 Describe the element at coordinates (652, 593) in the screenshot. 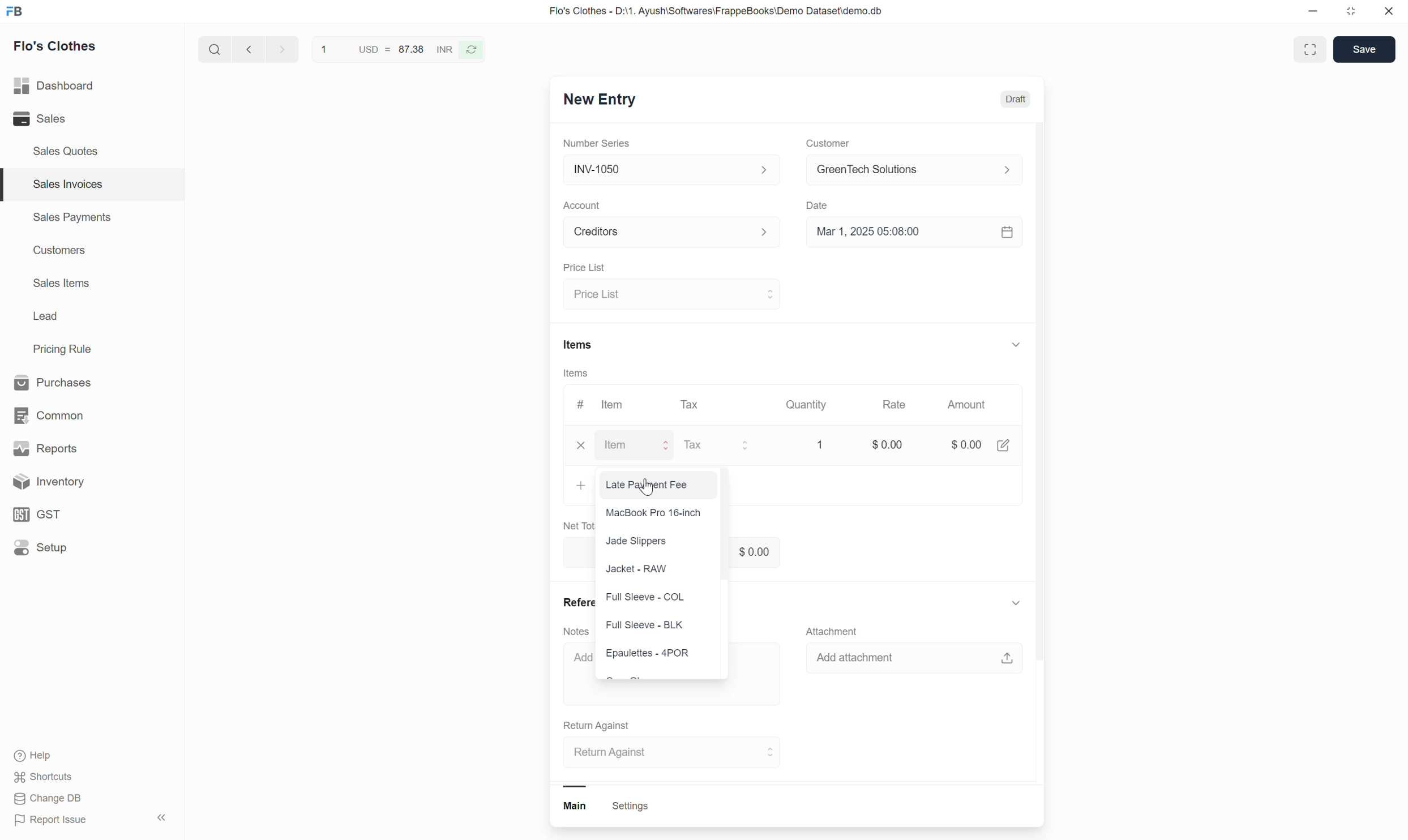

I see `Full Sleeve - COL` at that location.